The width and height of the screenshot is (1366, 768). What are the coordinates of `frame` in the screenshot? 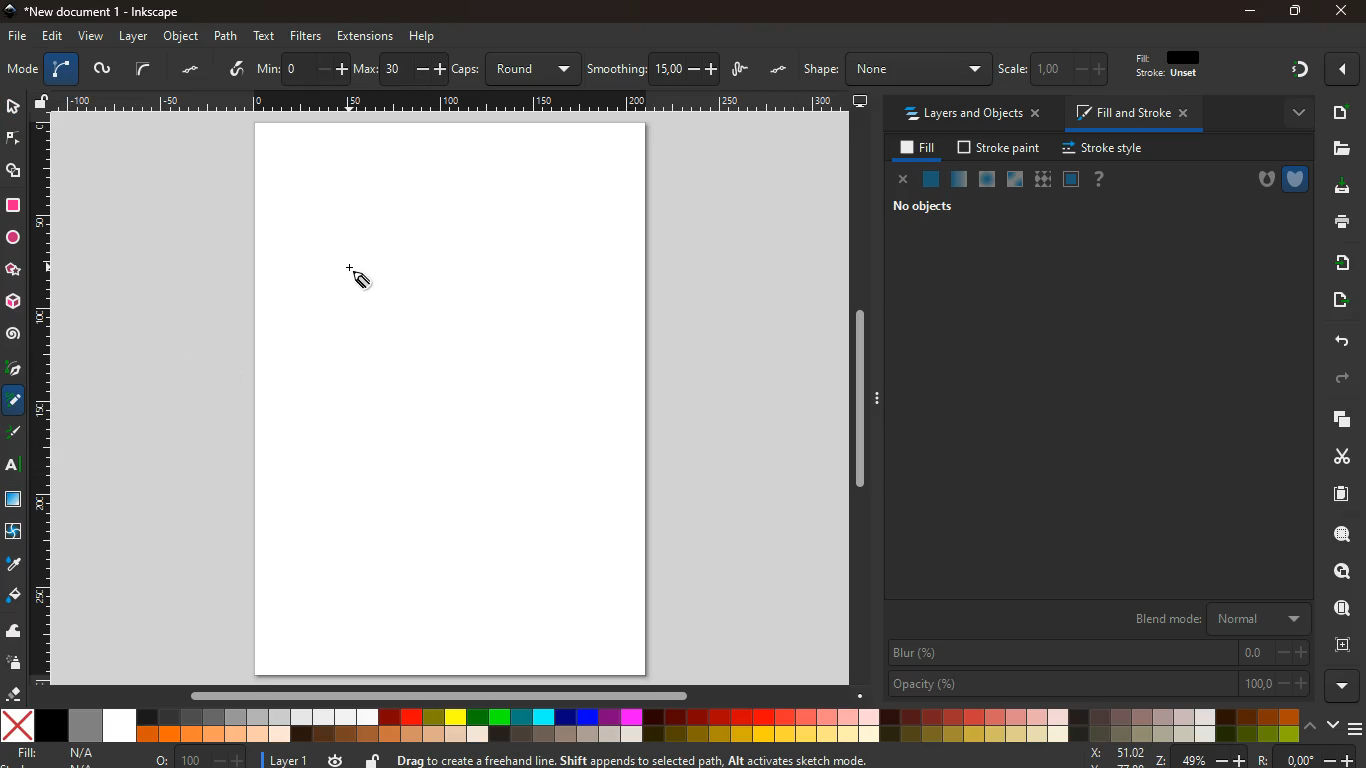 It's located at (1070, 179).